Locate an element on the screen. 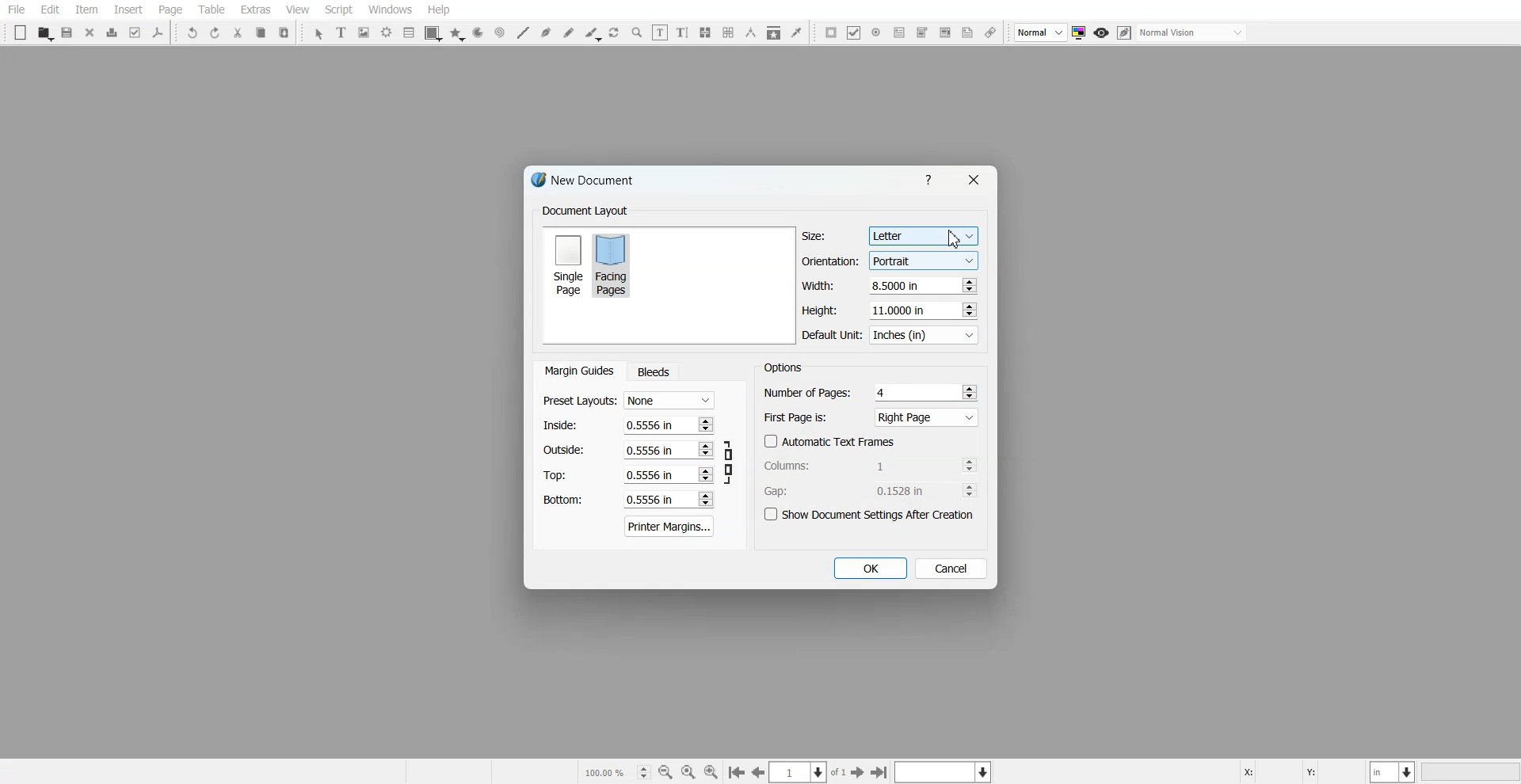 The width and height of the screenshot is (1521, 784). Save is located at coordinates (68, 32).